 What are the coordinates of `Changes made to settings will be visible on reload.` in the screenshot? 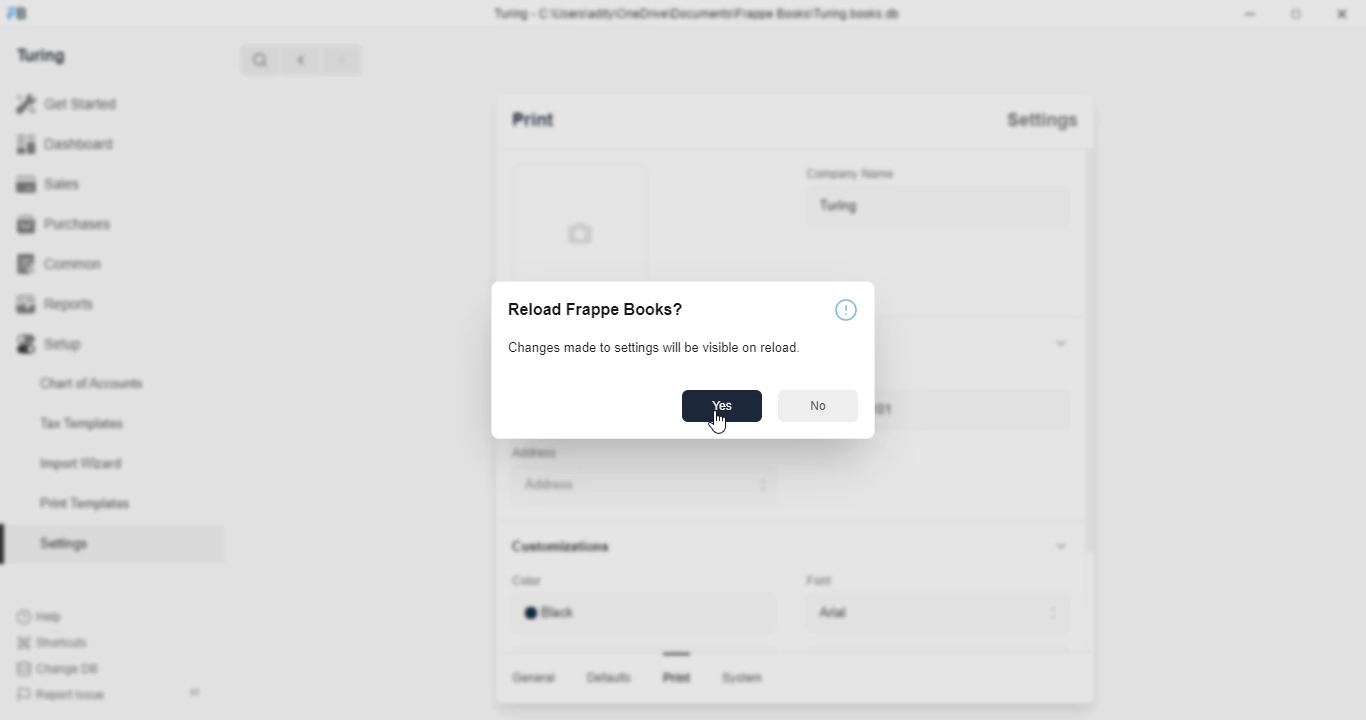 It's located at (653, 348).